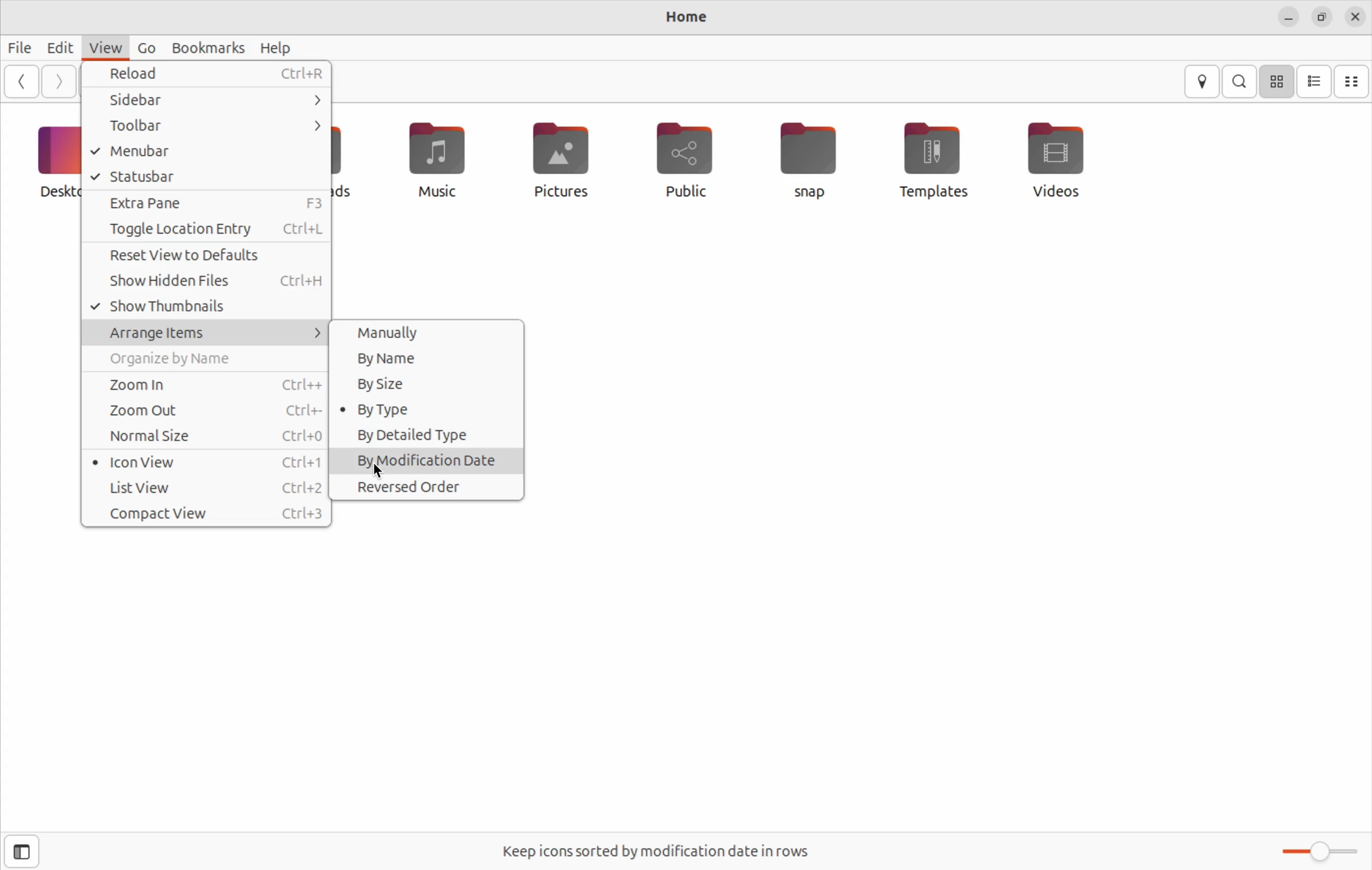  I want to click on reversed order, so click(426, 486).